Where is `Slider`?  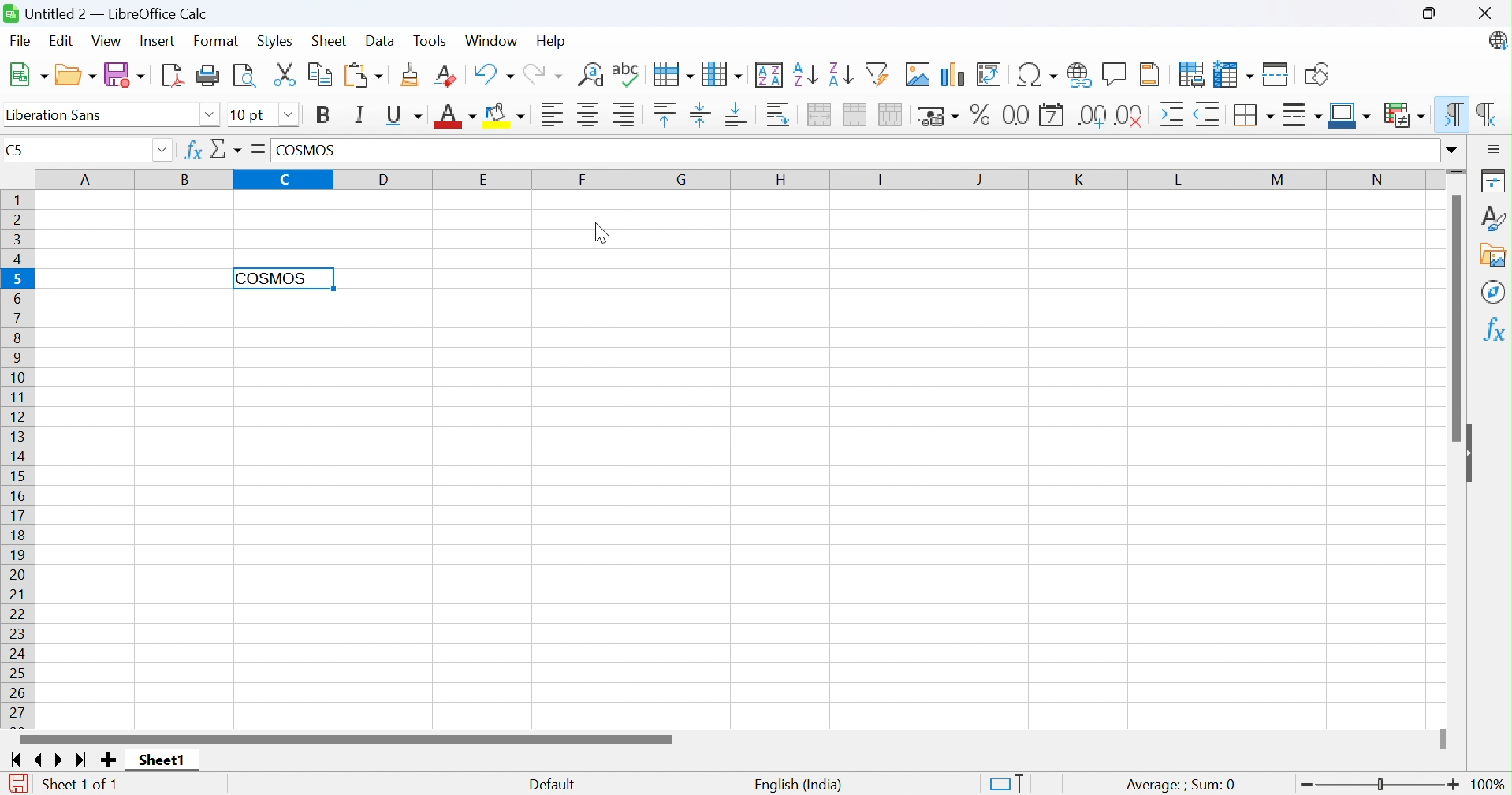
Slider is located at coordinates (1383, 784).